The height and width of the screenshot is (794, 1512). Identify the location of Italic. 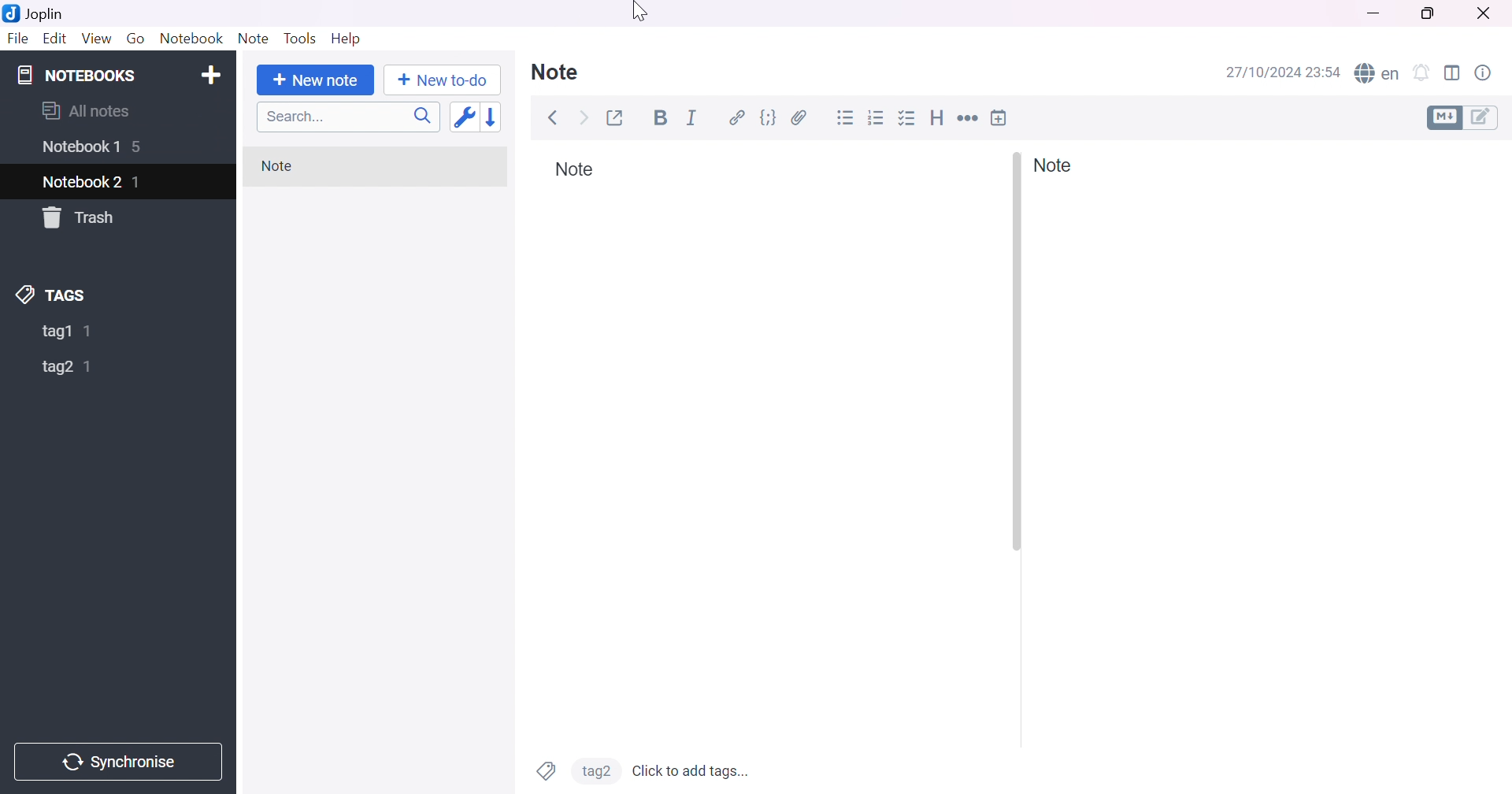
(692, 118).